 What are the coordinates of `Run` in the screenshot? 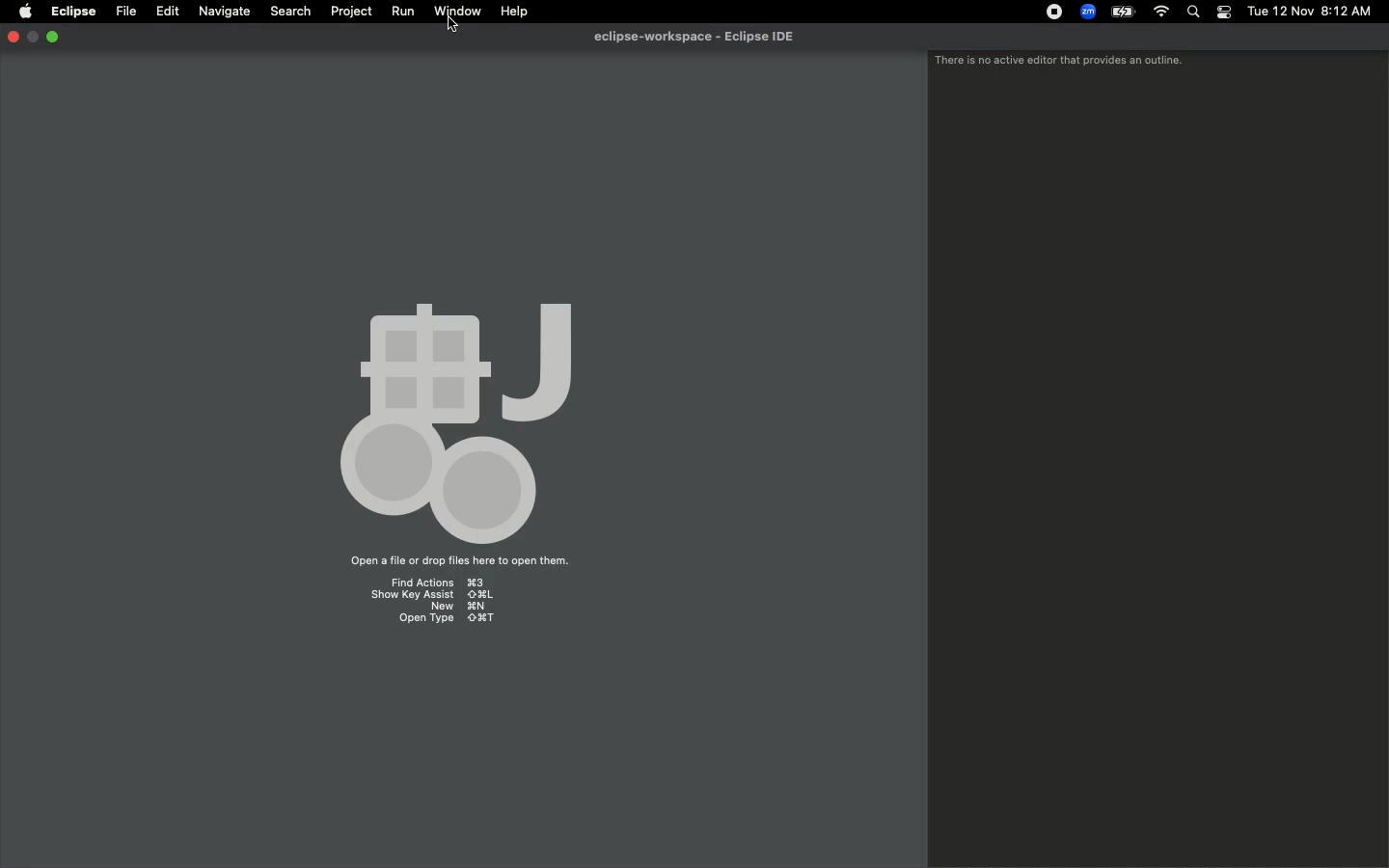 It's located at (399, 11).